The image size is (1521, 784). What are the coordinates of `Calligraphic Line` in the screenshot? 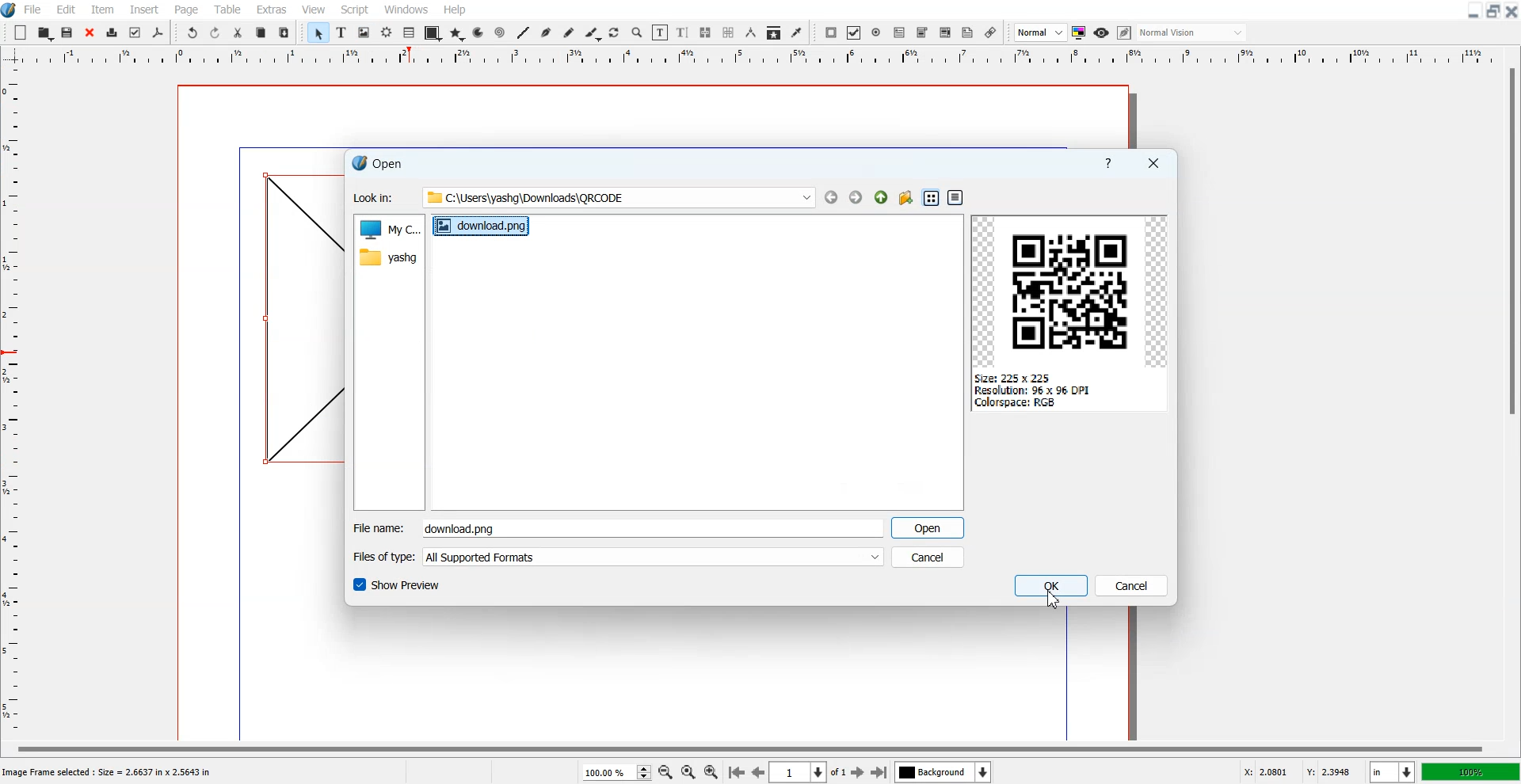 It's located at (592, 33).